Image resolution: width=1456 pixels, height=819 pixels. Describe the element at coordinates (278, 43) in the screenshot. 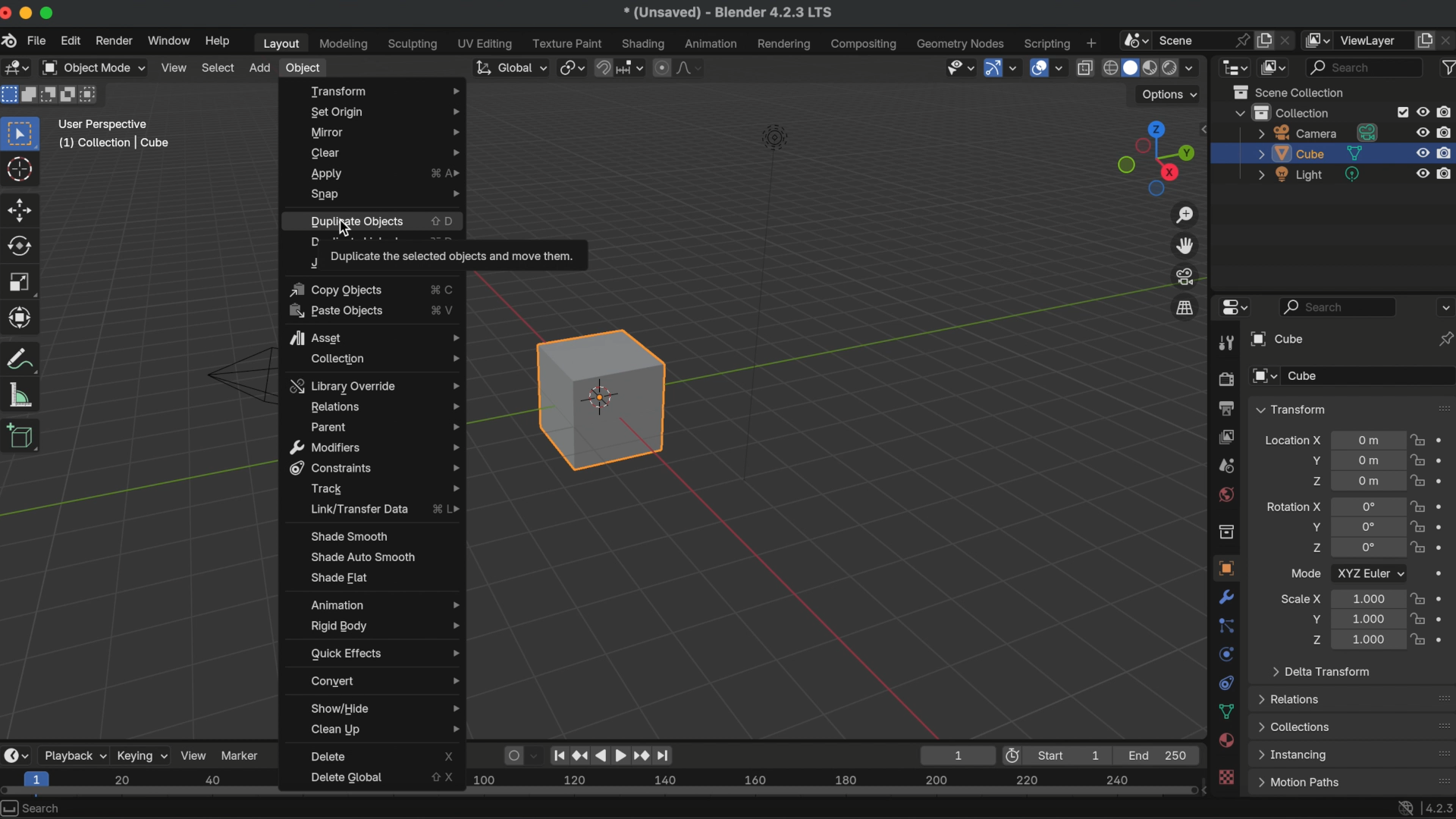

I see `layout` at that location.